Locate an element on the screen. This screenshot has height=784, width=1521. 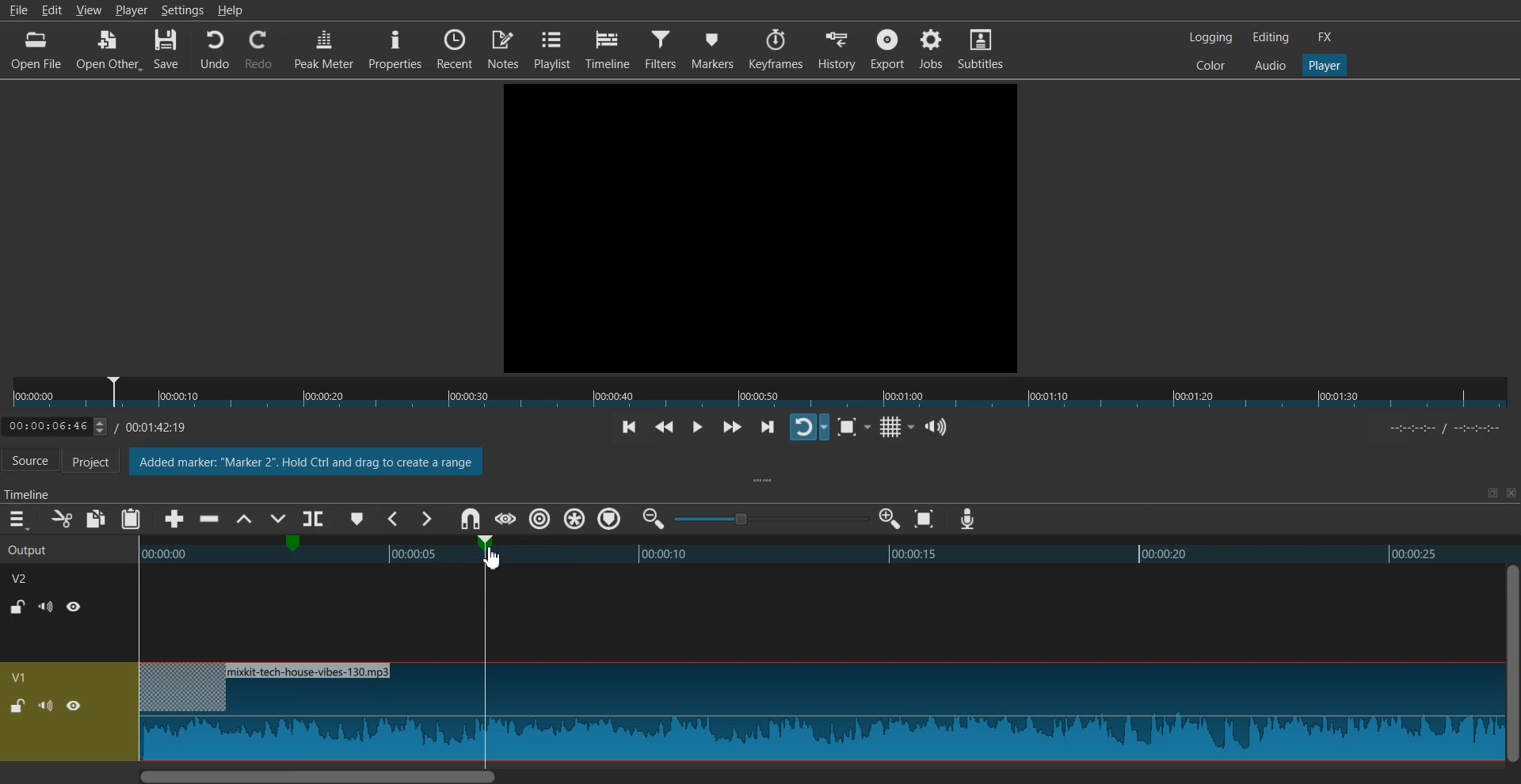
Vertical Scroll bar is located at coordinates (1511, 663).